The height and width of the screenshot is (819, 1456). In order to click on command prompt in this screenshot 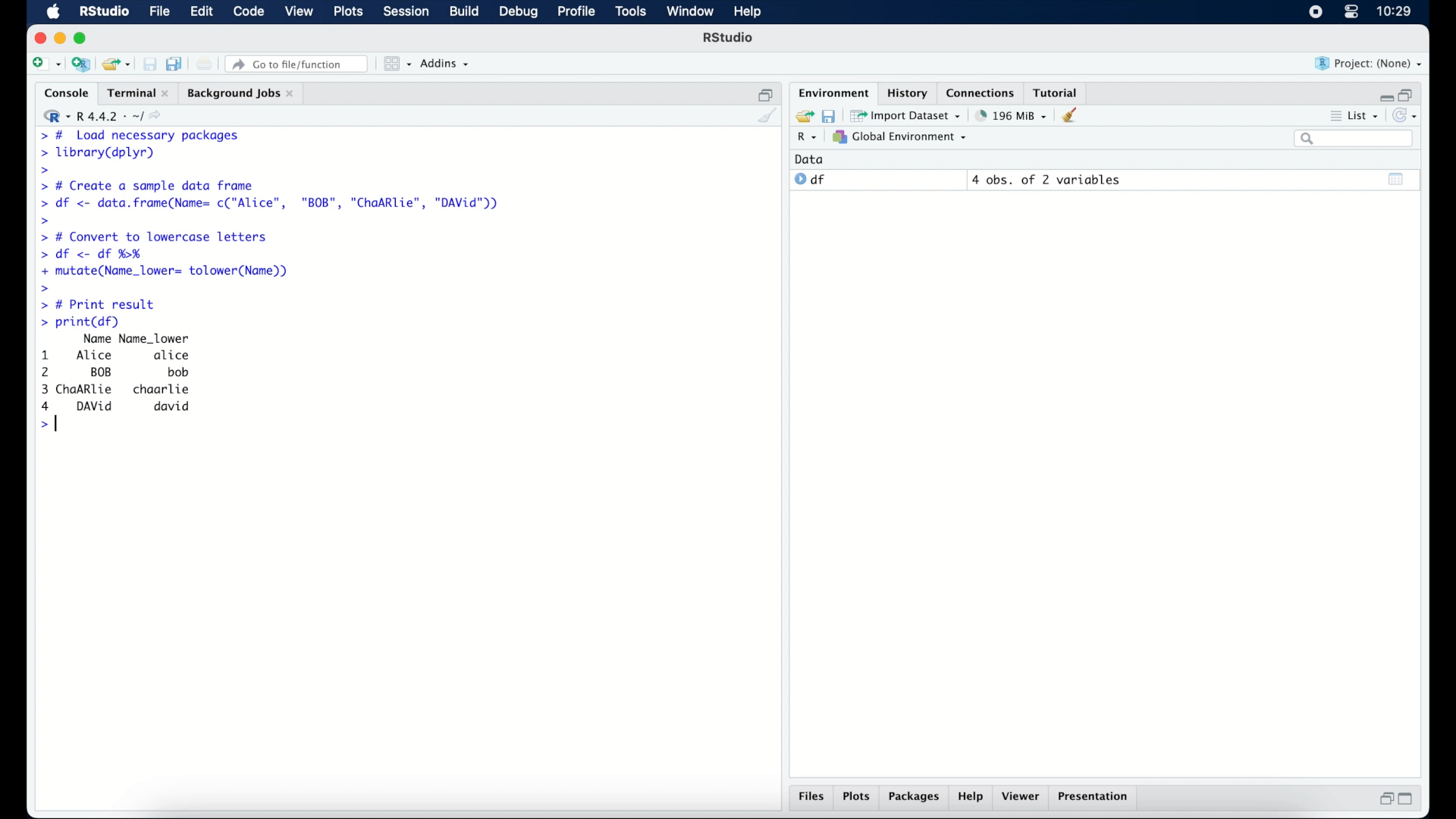, I will do `click(45, 220)`.